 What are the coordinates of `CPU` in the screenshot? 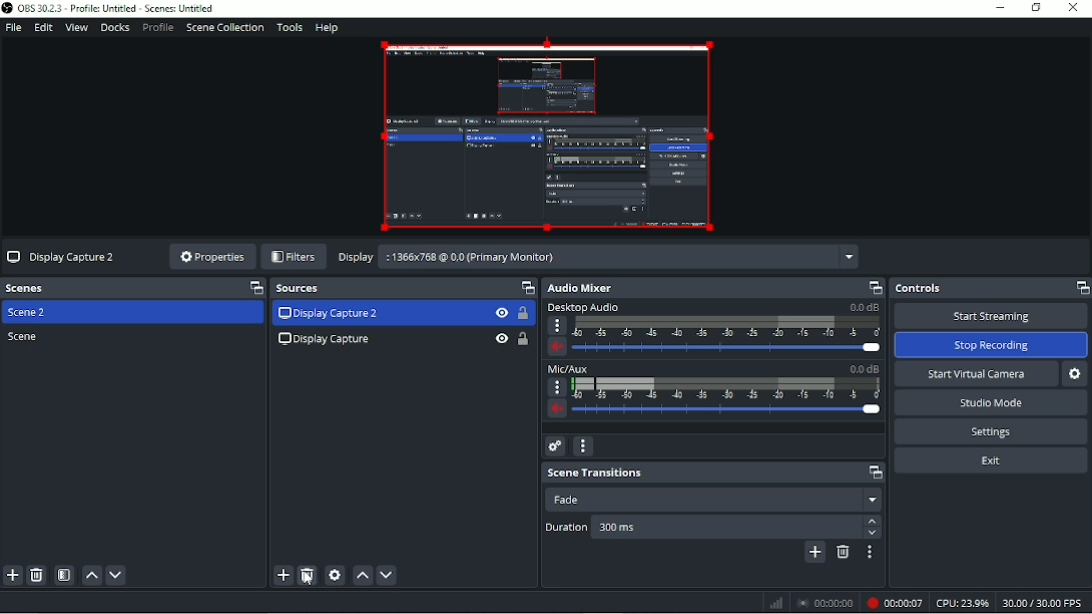 It's located at (962, 603).